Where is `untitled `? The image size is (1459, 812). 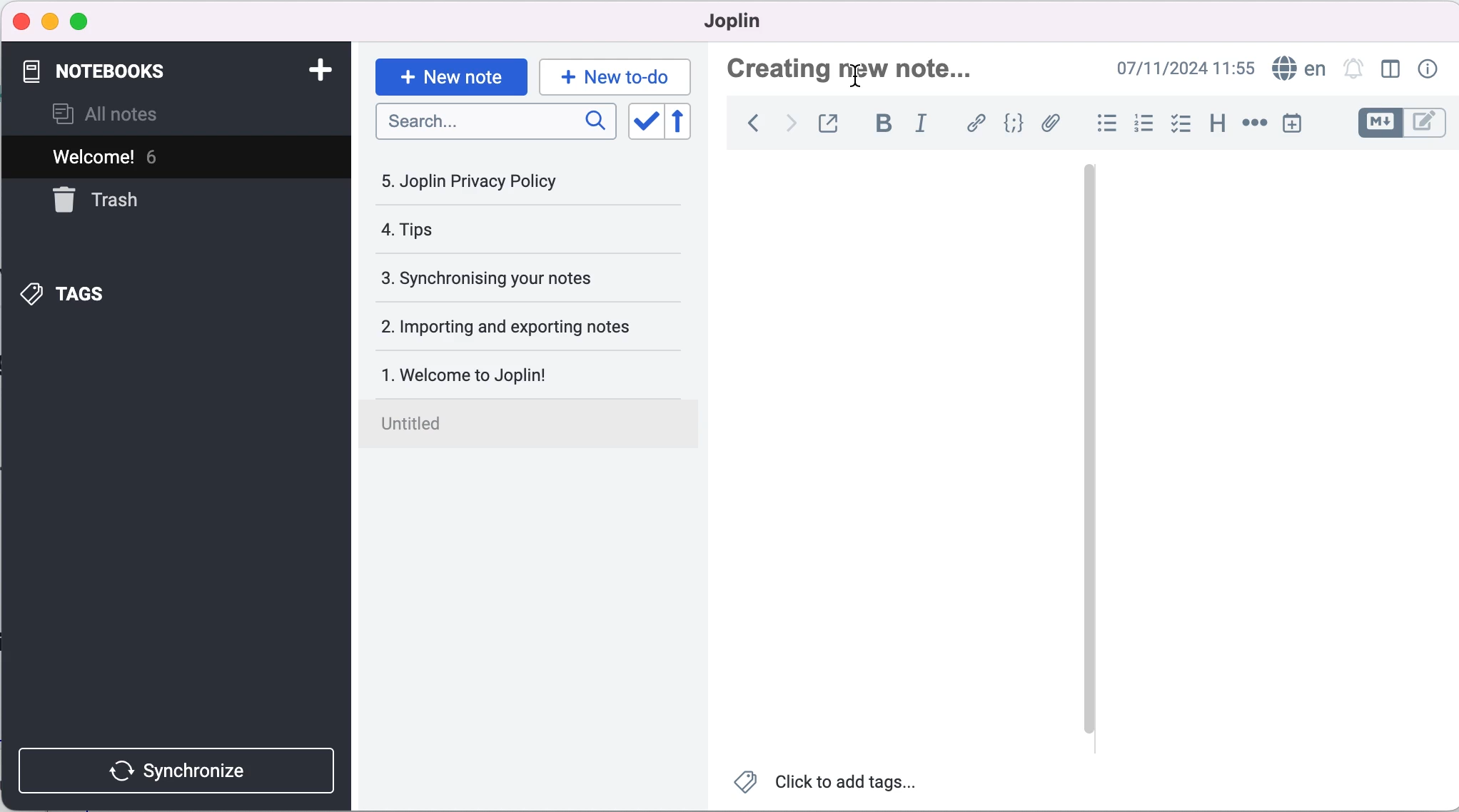
untitled  is located at coordinates (535, 426).